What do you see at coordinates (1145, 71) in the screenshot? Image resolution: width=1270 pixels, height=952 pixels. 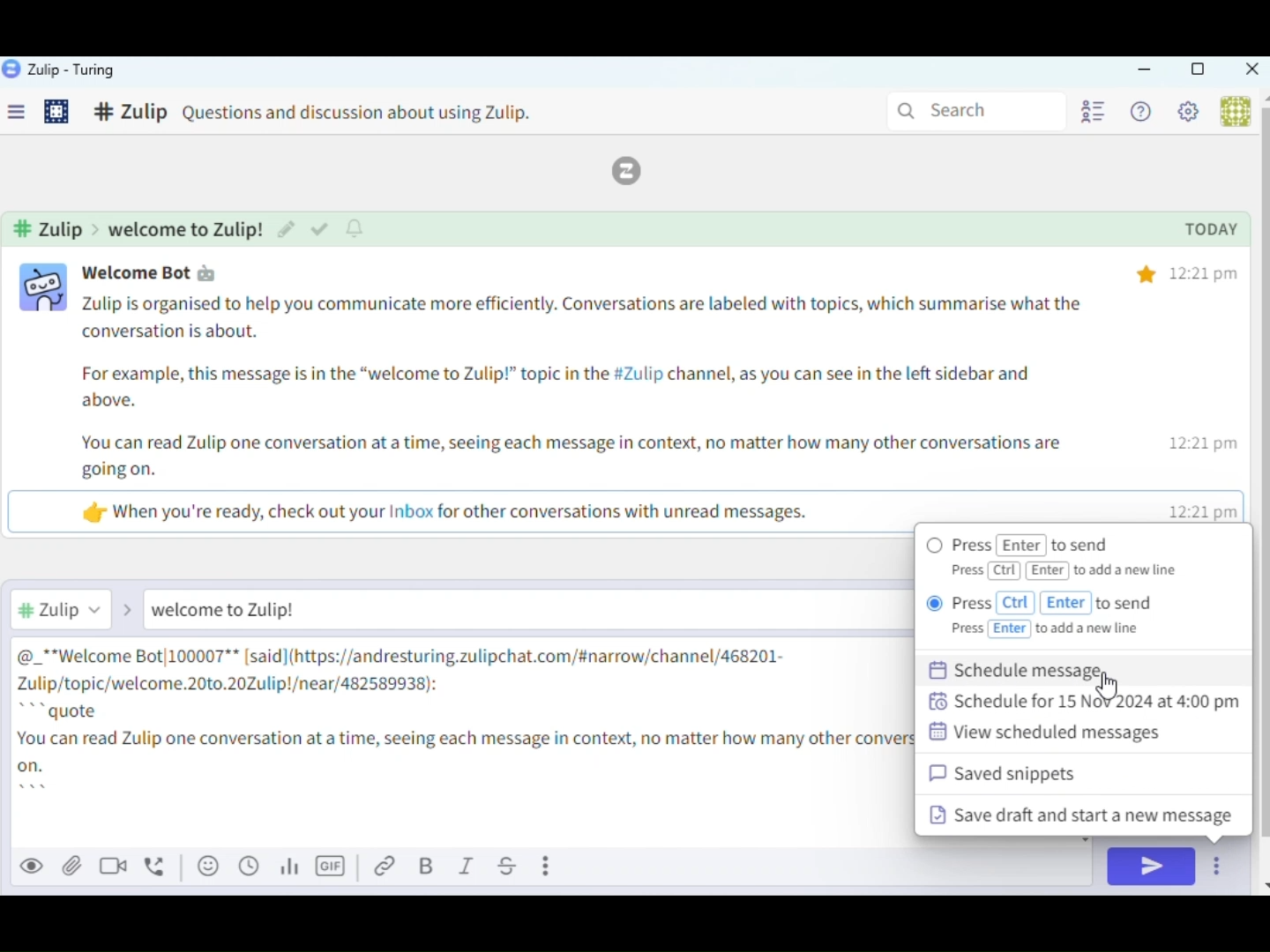 I see `Minimize` at bounding box center [1145, 71].